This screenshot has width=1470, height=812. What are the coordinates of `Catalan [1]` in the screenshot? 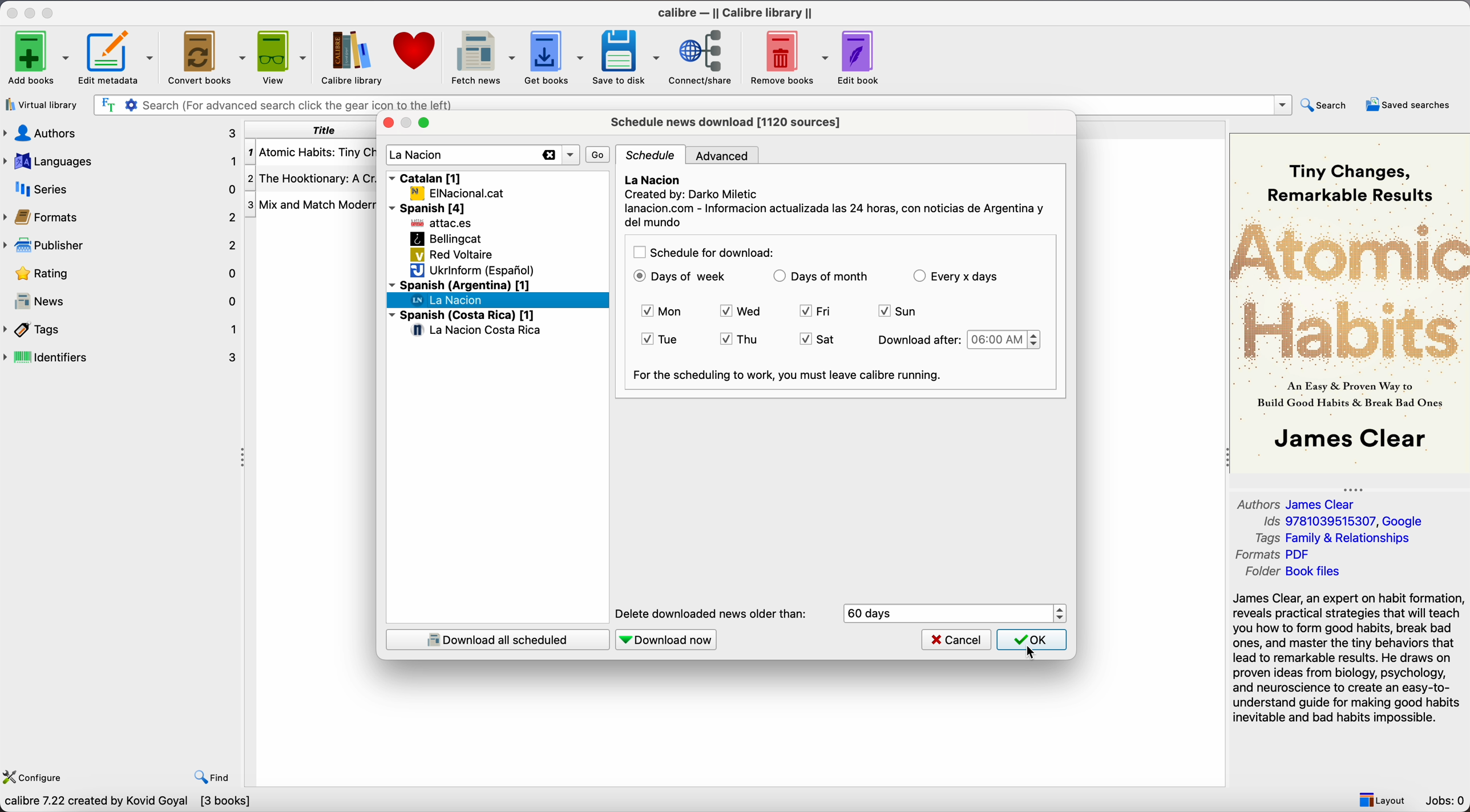 It's located at (427, 176).